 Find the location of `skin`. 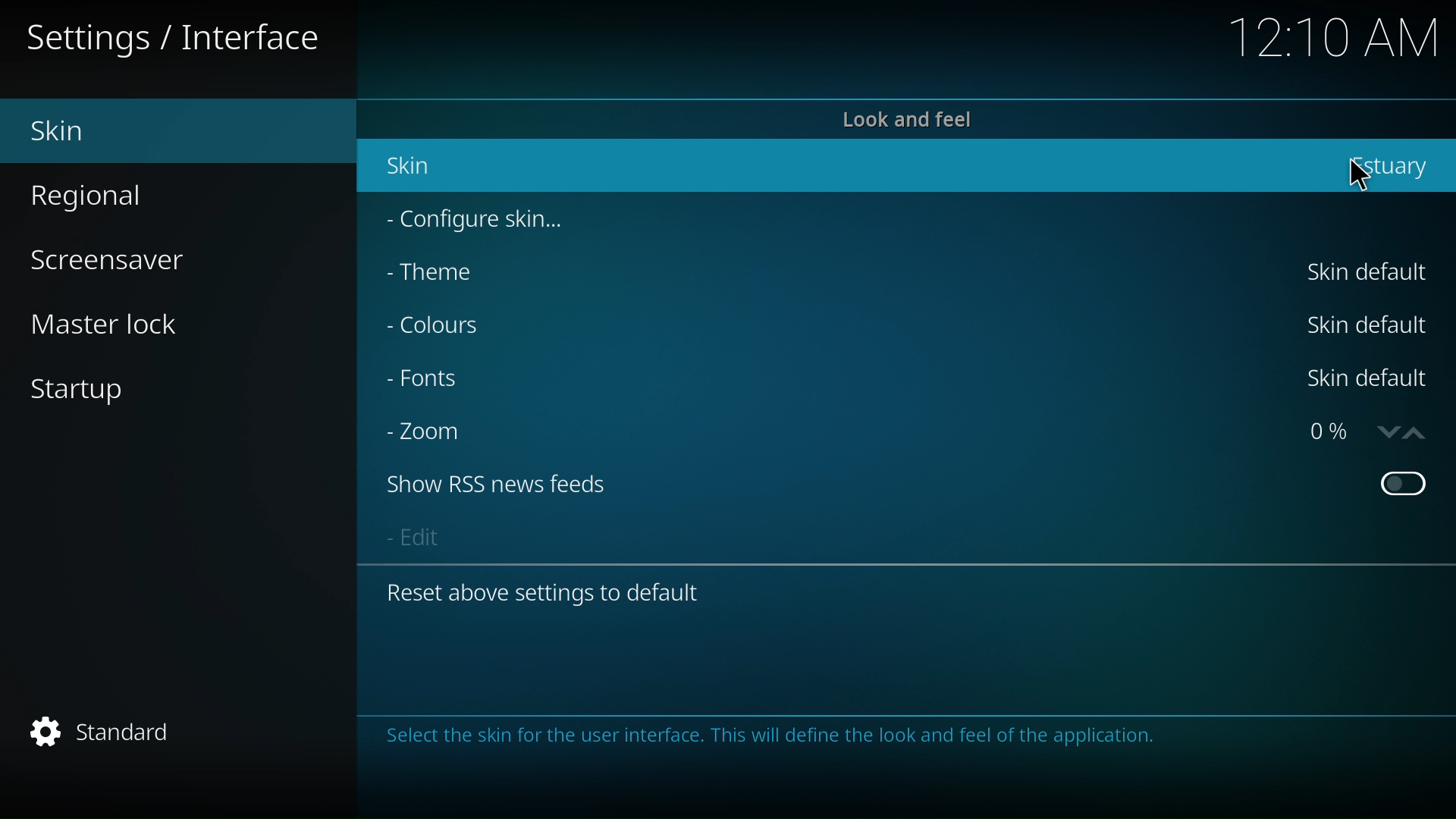

skin is located at coordinates (64, 132).